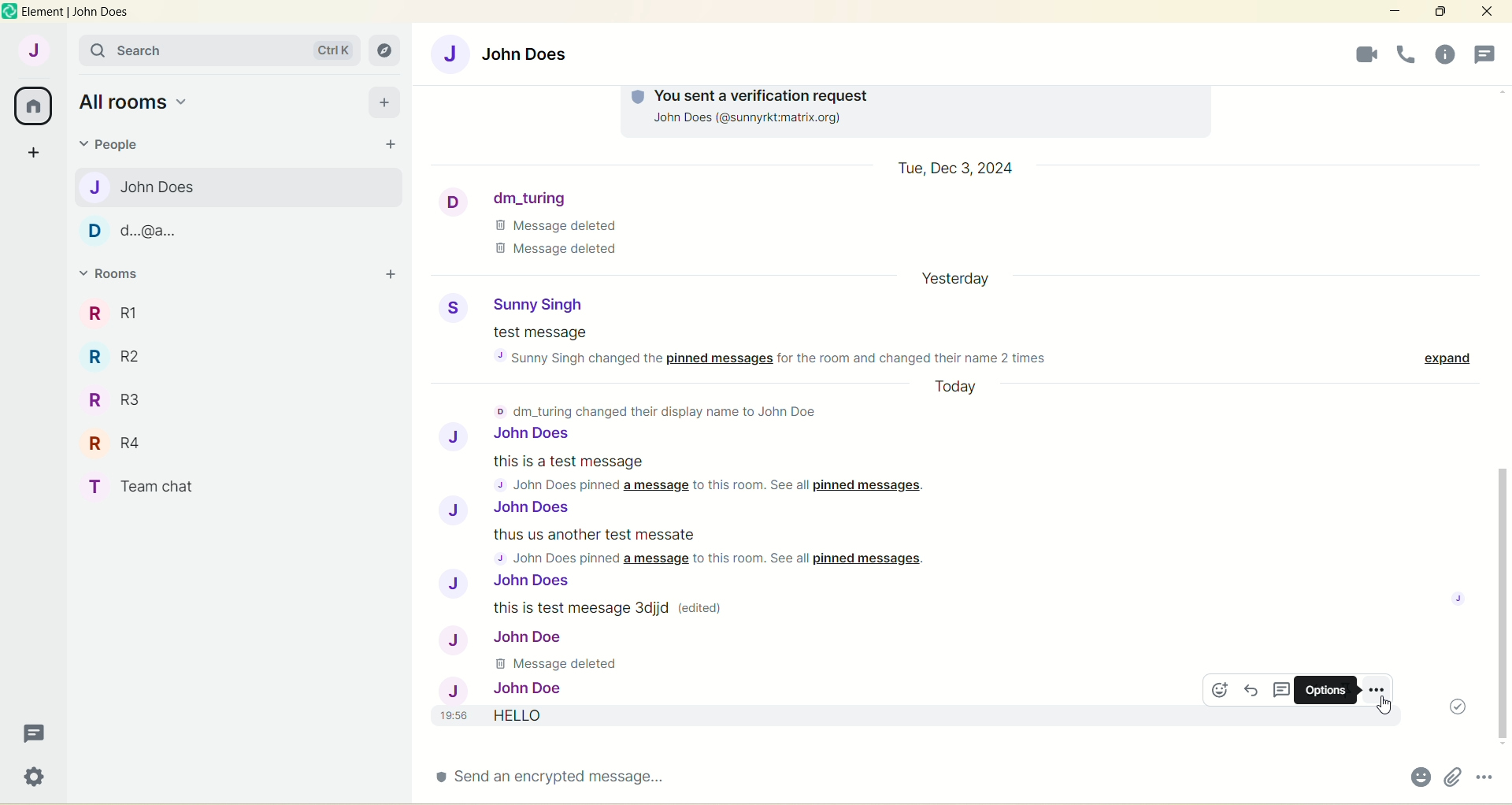 Image resolution: width=1512 pixels, height=805 pixels. What do you see at coordinates (384, 102) in the screenshot?
I see `add` at bounding box center [384, 102].